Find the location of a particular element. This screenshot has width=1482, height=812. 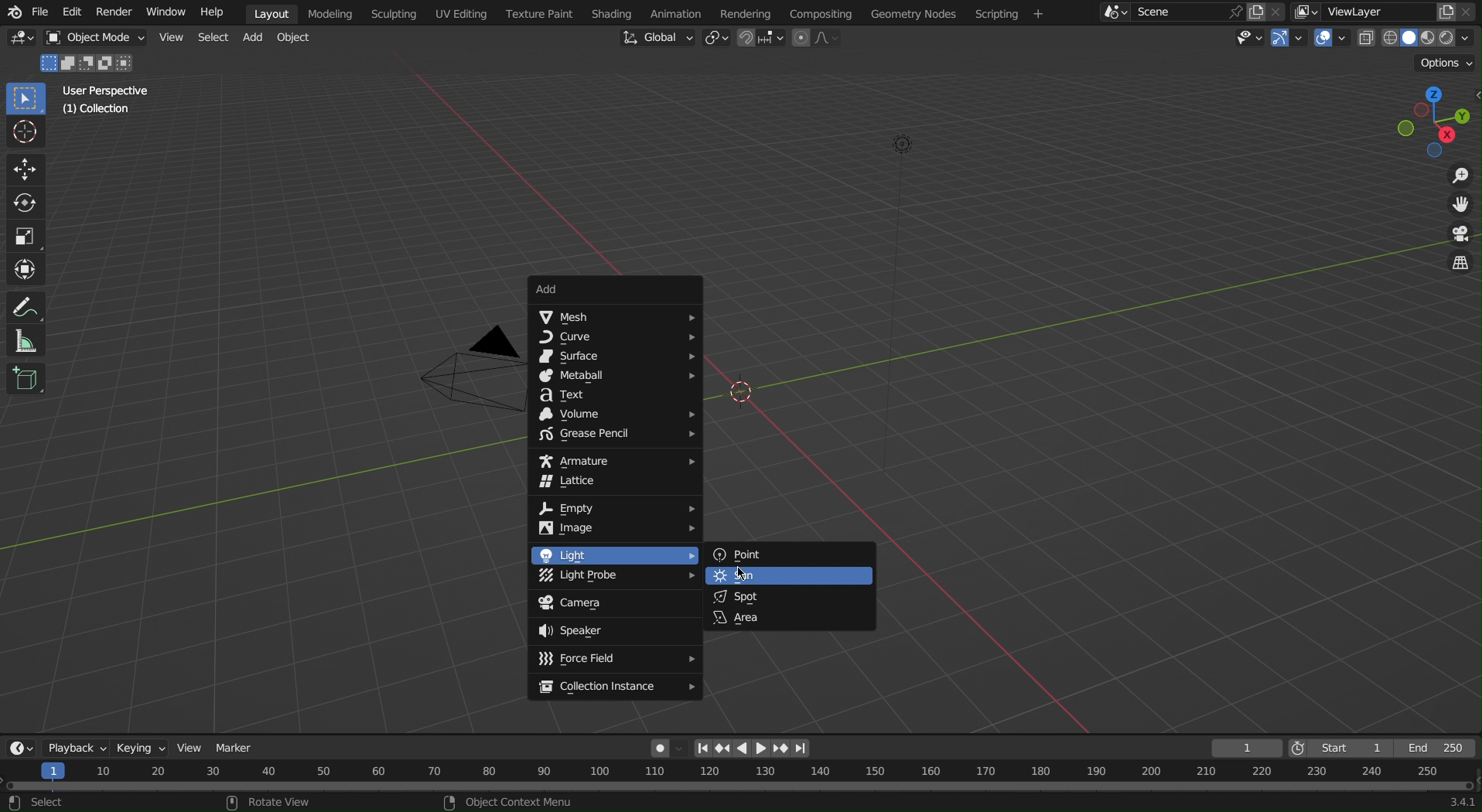

View port is located at coordinates (1438, 120).